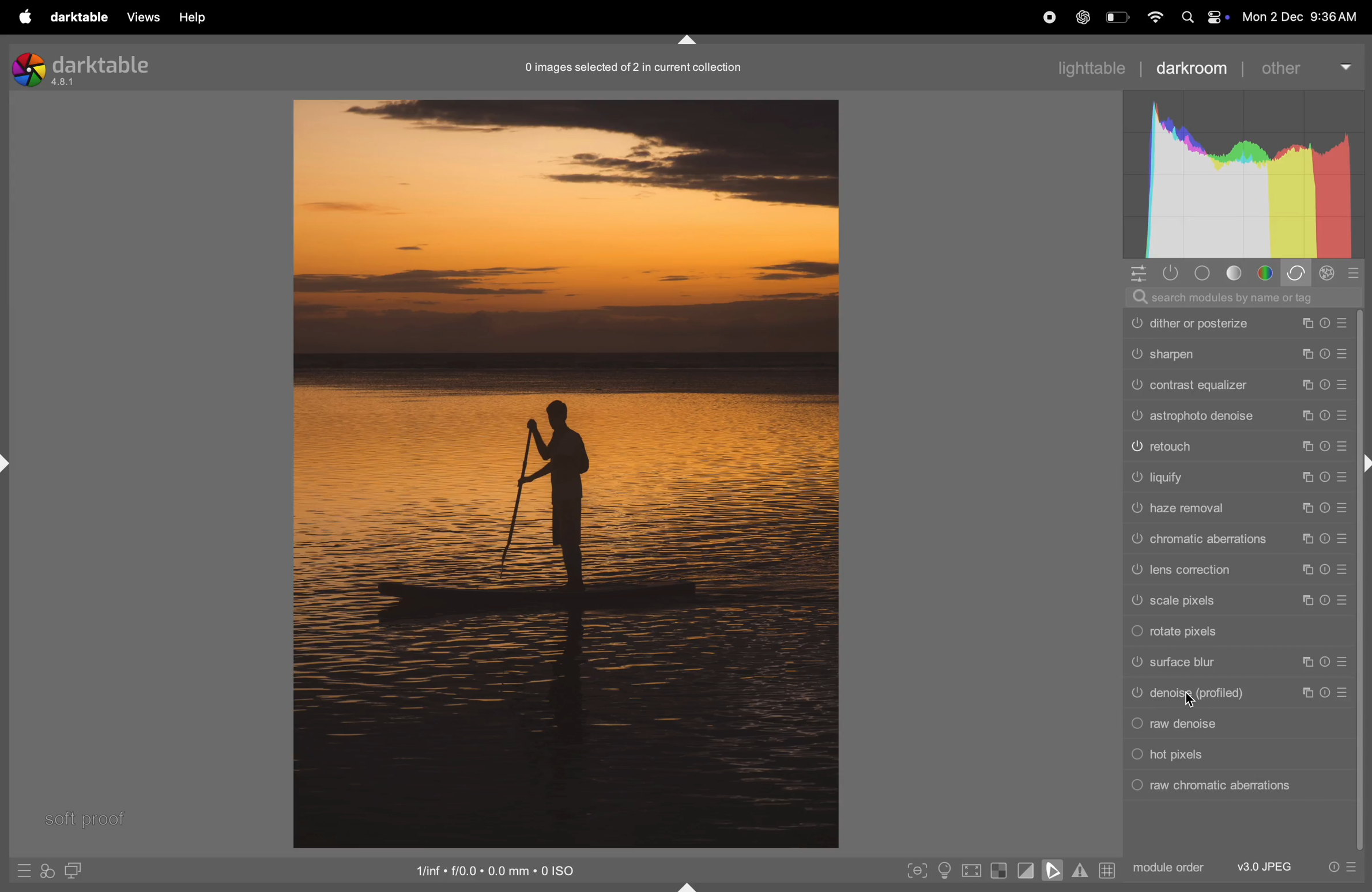 Image resolution: width=1372 pixels, height=892 pixels. What do you see at coordinates (1053, 872) in the screenshot?
I see `toggle softproffing` at bounding box center [1053, 872].